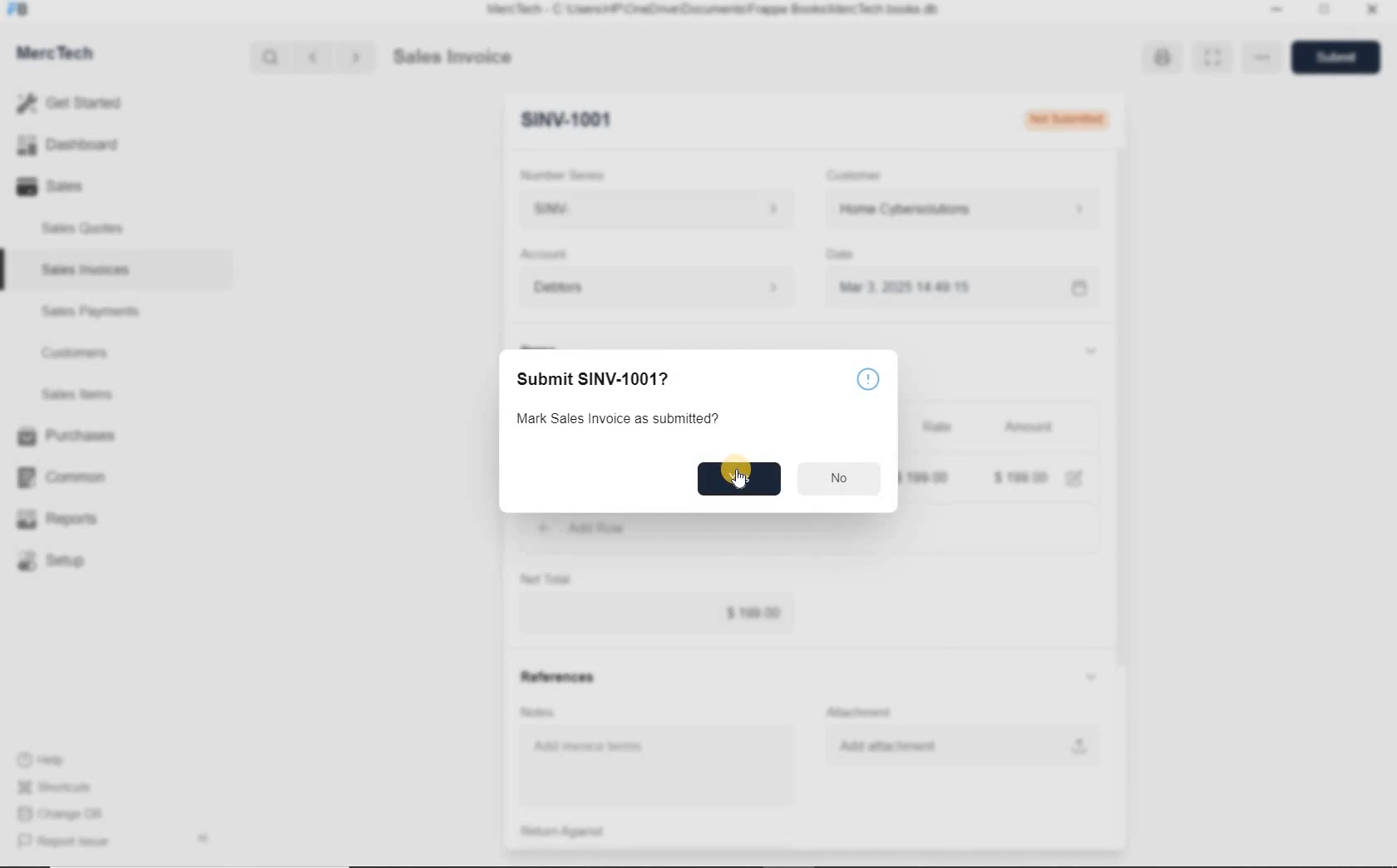 This screenshot has height=868, width=1397. Describe the element at coordinates (862, 713) in the screenshot. I see `Attachment` at that location.